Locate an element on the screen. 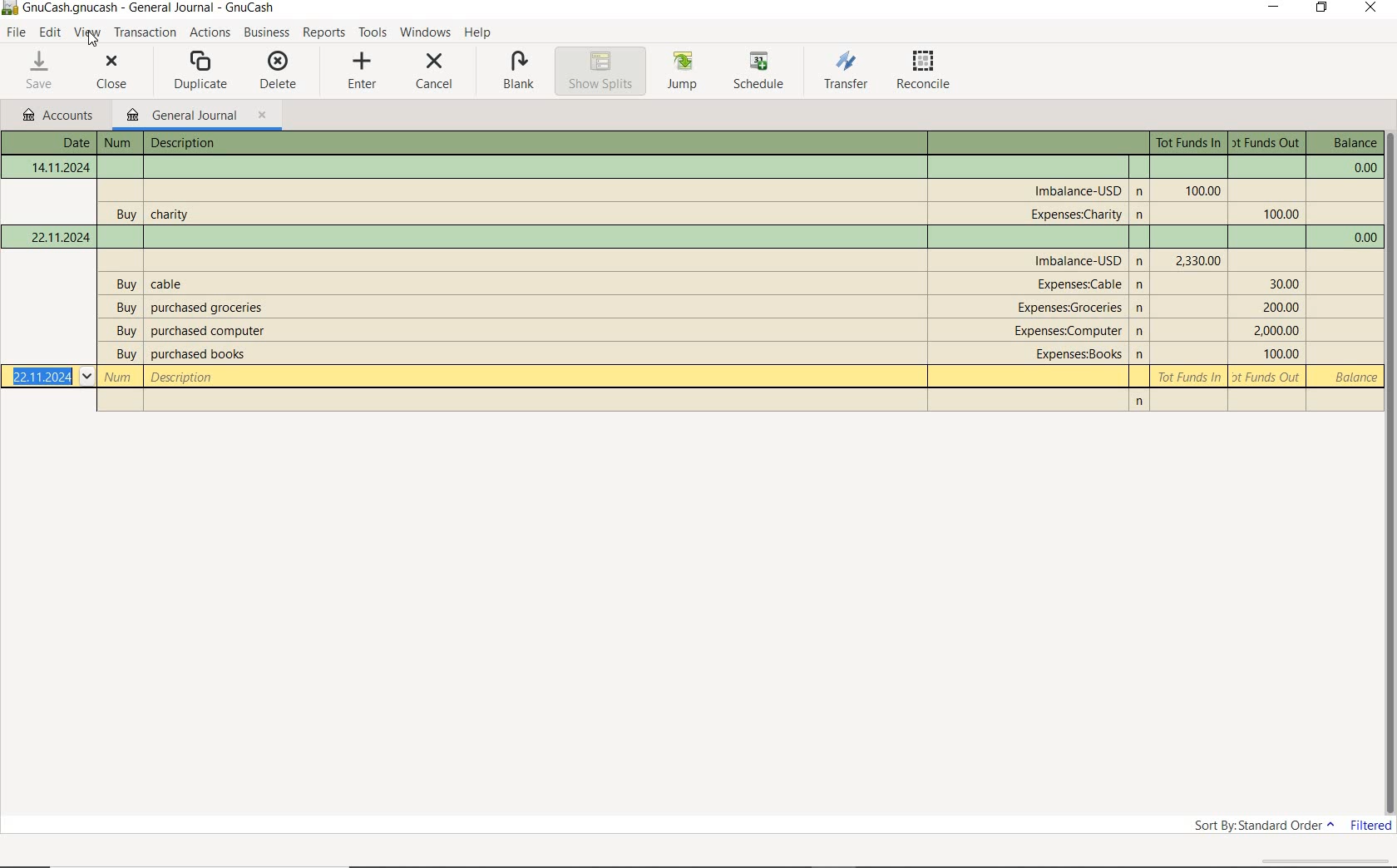 The height and width of the screenshot is (868, 1397). HELP is located at coordinates (481, 32).